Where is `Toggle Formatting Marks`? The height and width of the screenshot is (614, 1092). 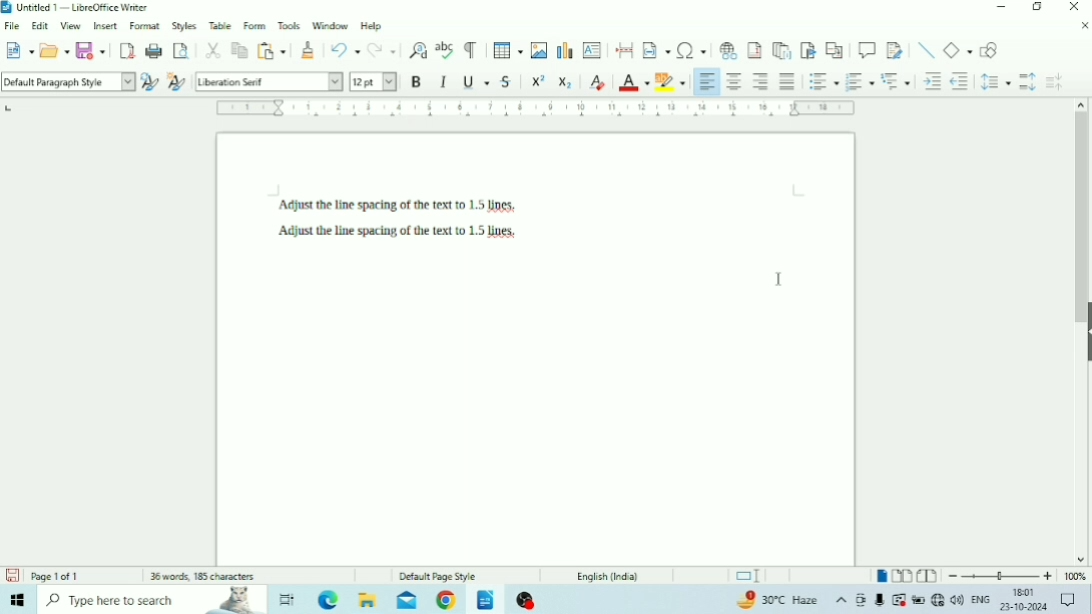 Toggle Formatting Marks is located at coordinates (472, 50).